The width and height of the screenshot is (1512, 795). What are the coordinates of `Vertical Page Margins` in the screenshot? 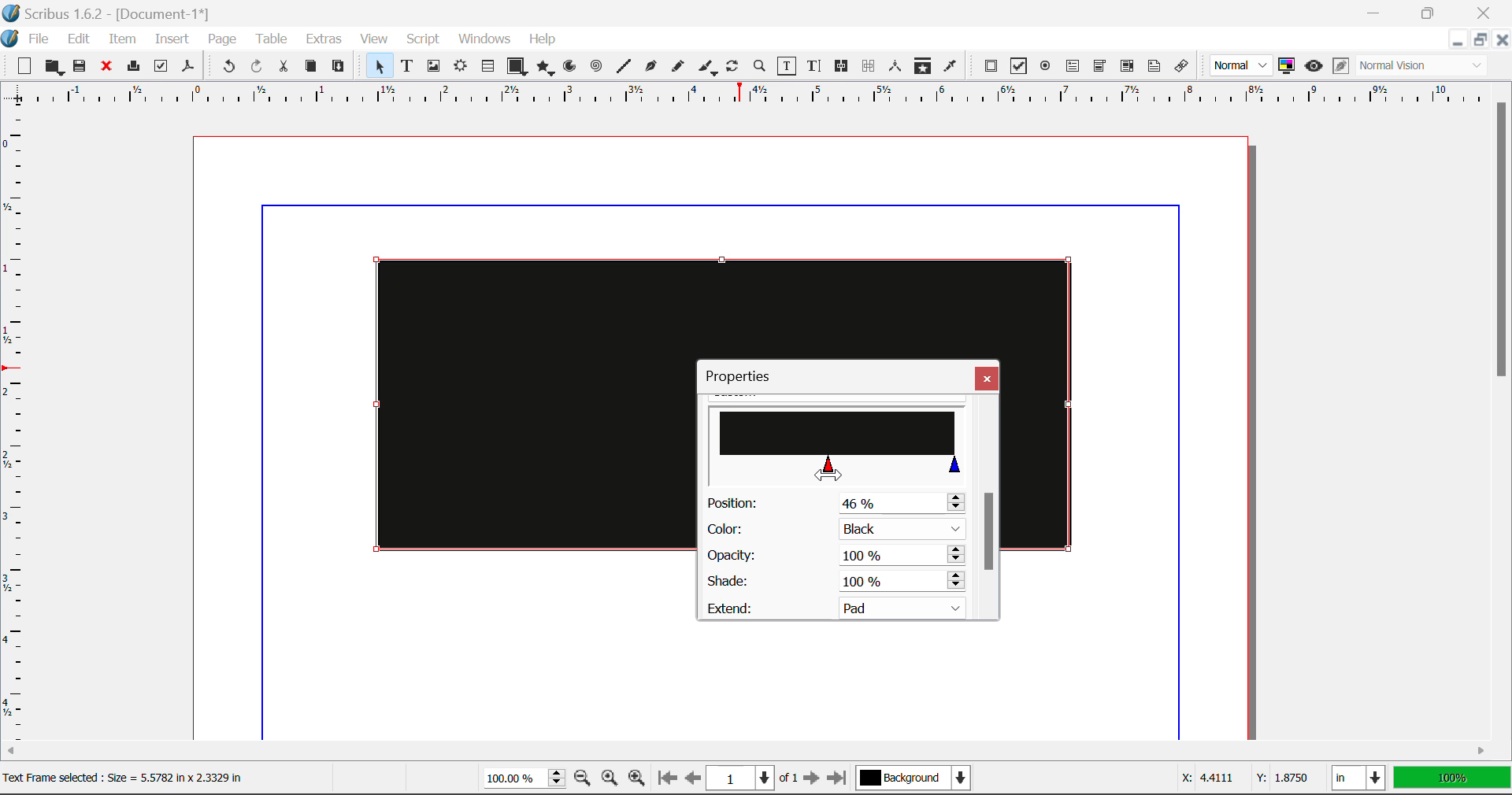 It's located at (755, 99).